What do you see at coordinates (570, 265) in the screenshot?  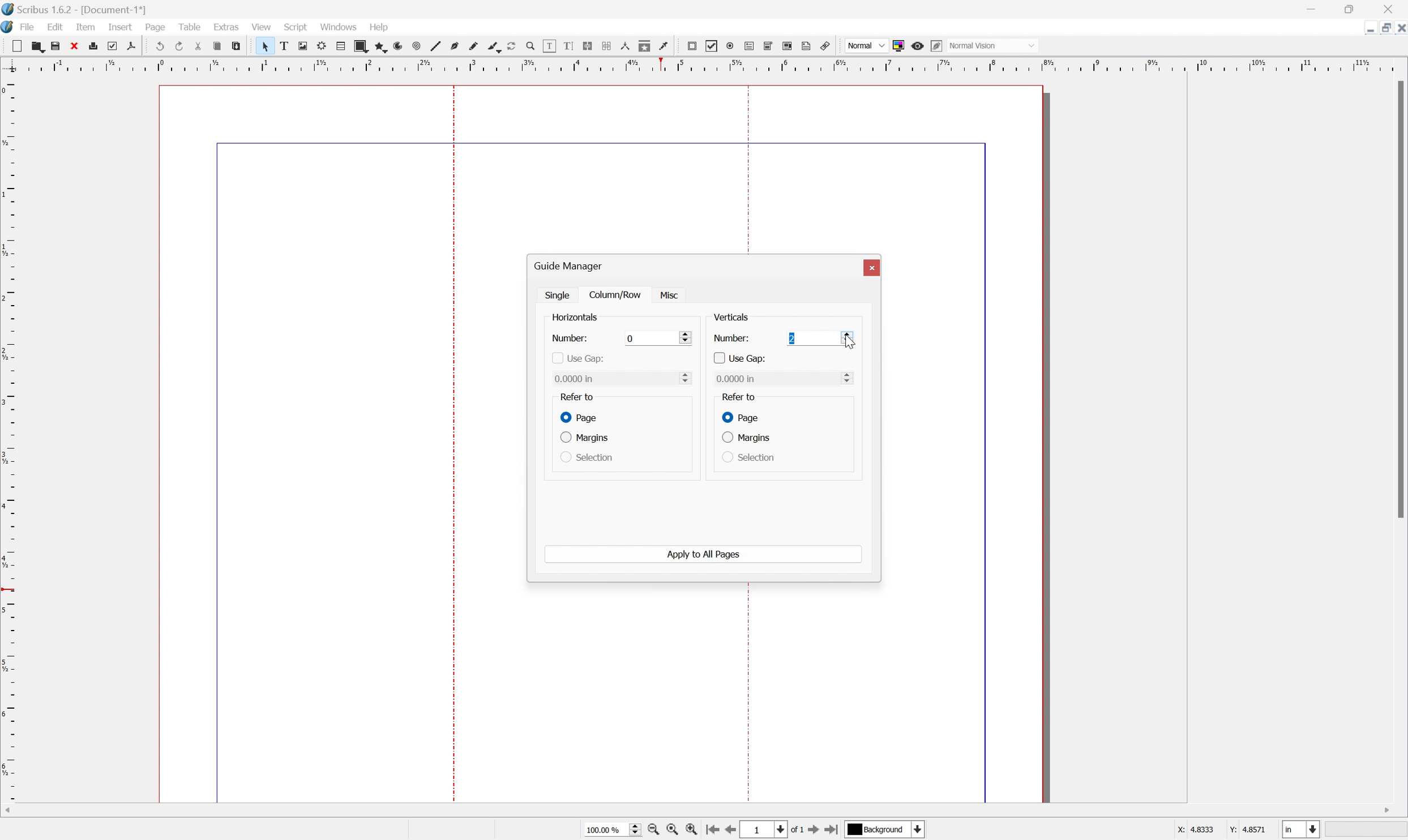 I see `guide manager` at bounding box center [570, 265].